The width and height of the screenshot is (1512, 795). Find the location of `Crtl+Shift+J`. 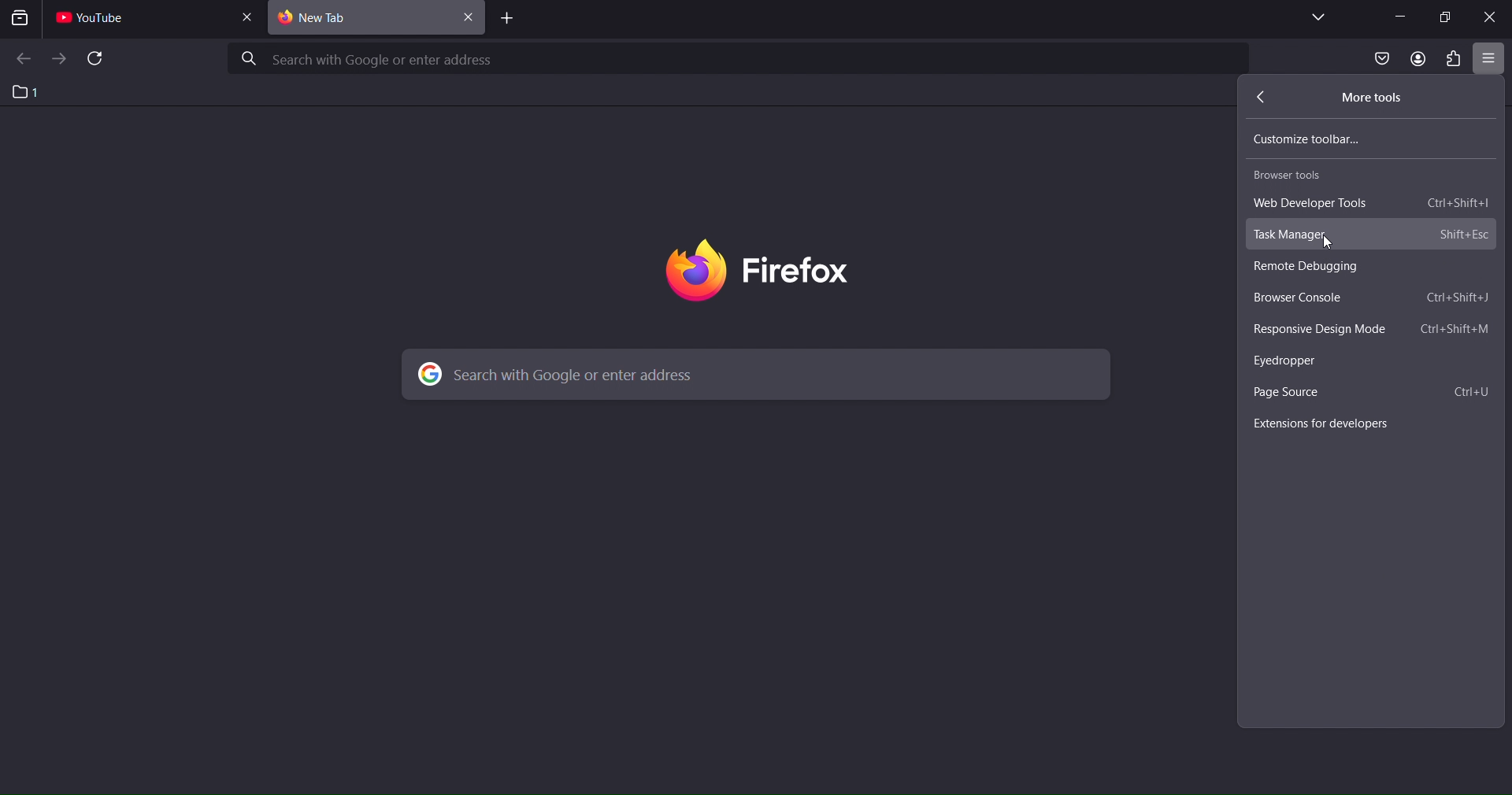

Crtl+Shift+J is located at coordinates (1459, 298).